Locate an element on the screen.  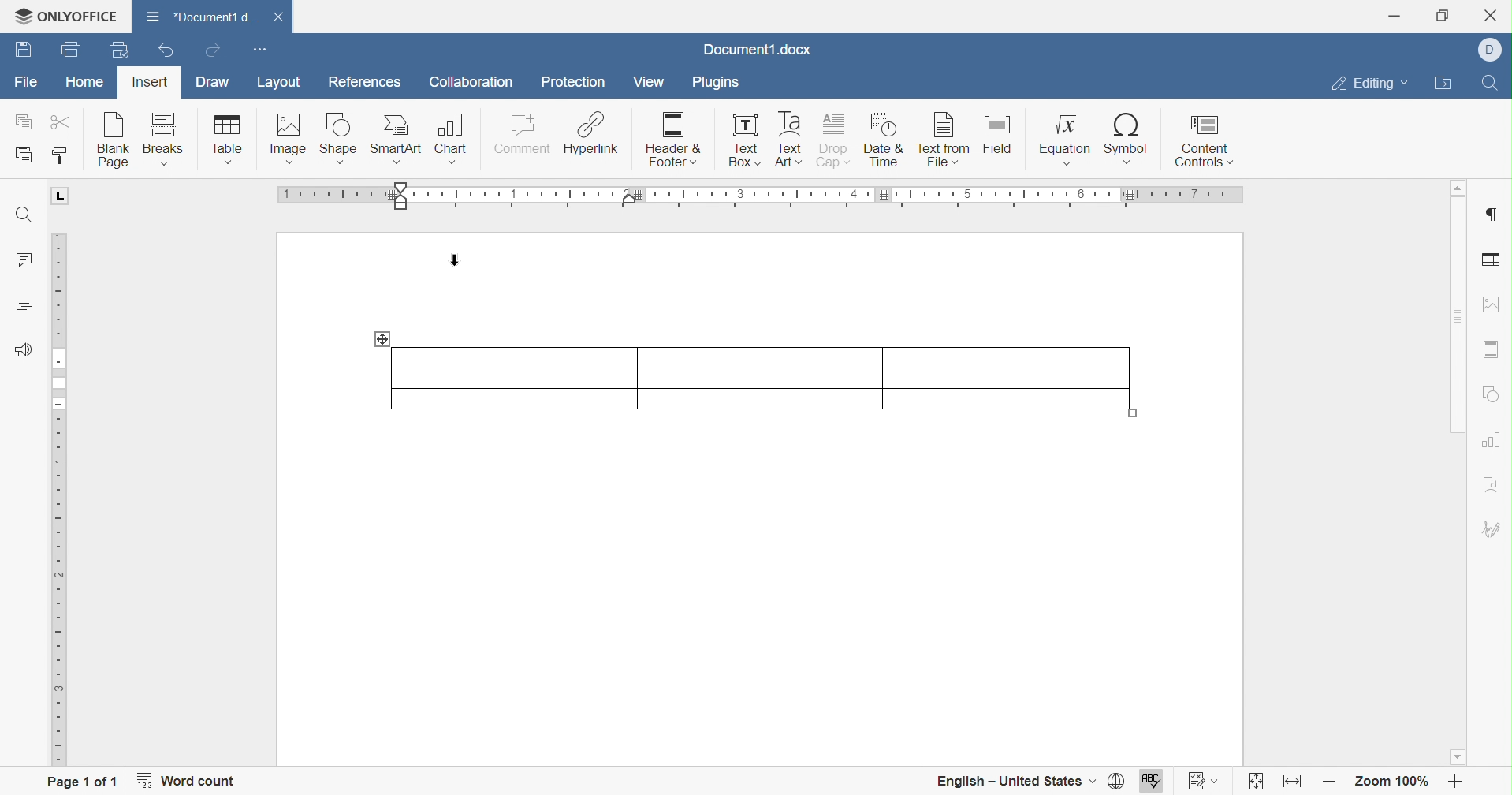
Scroll bar is located at coordinates (1460, 317).